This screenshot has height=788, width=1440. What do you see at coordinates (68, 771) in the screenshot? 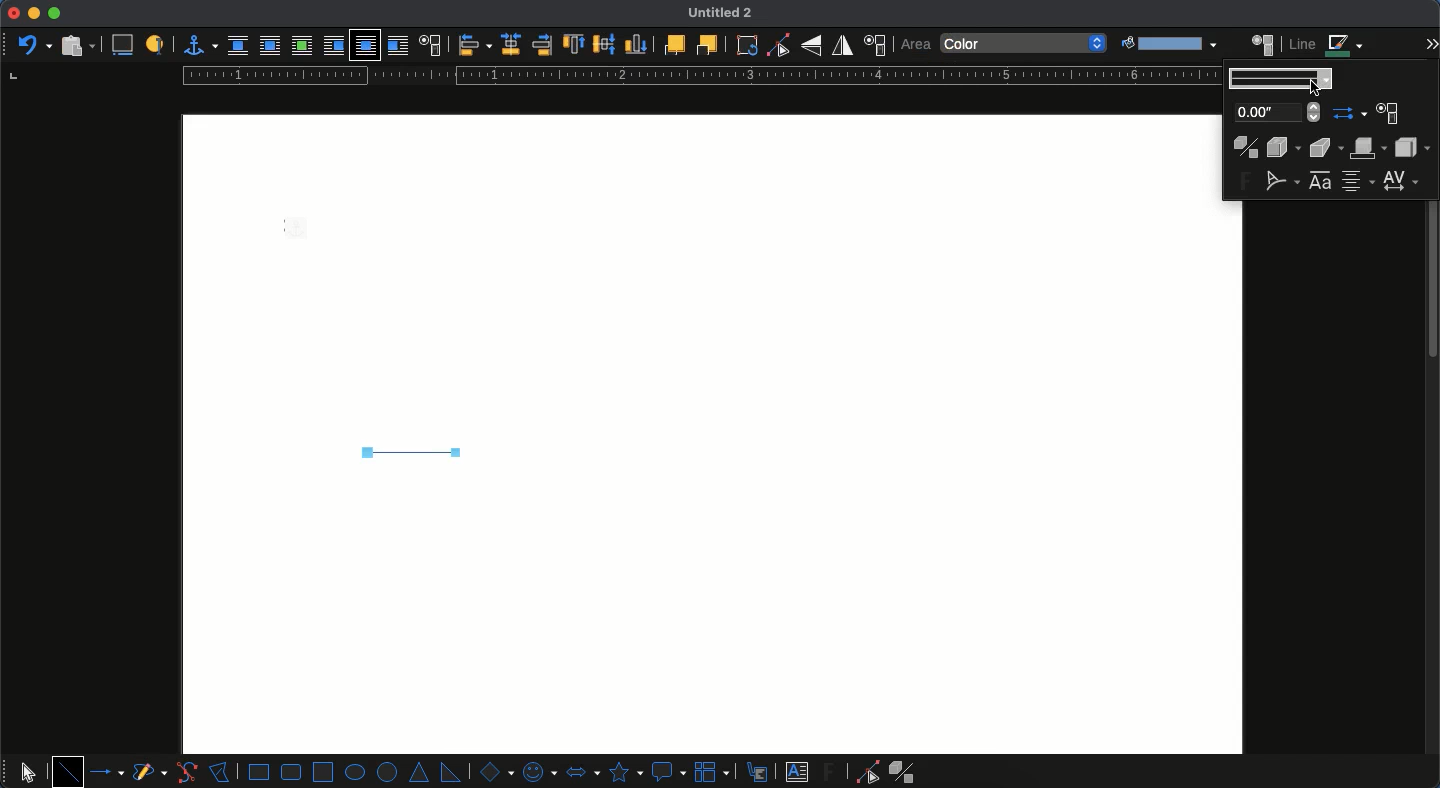
I see `line` at bounding box center [68, 771].